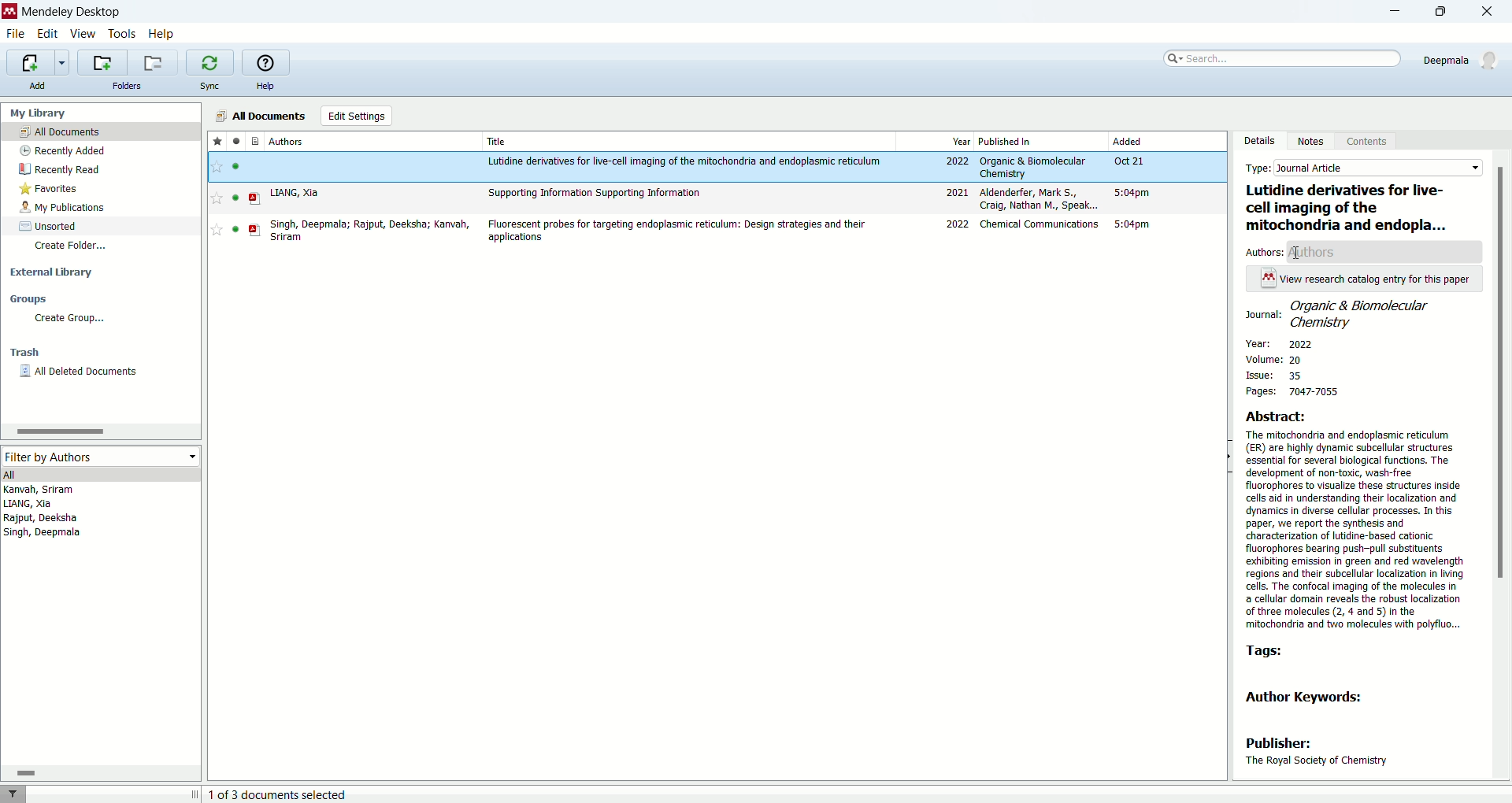 This screenshot has height=803, width=1512. Describe the element at coordinates (84, 35) in the screenshot. I see `view` at that location.